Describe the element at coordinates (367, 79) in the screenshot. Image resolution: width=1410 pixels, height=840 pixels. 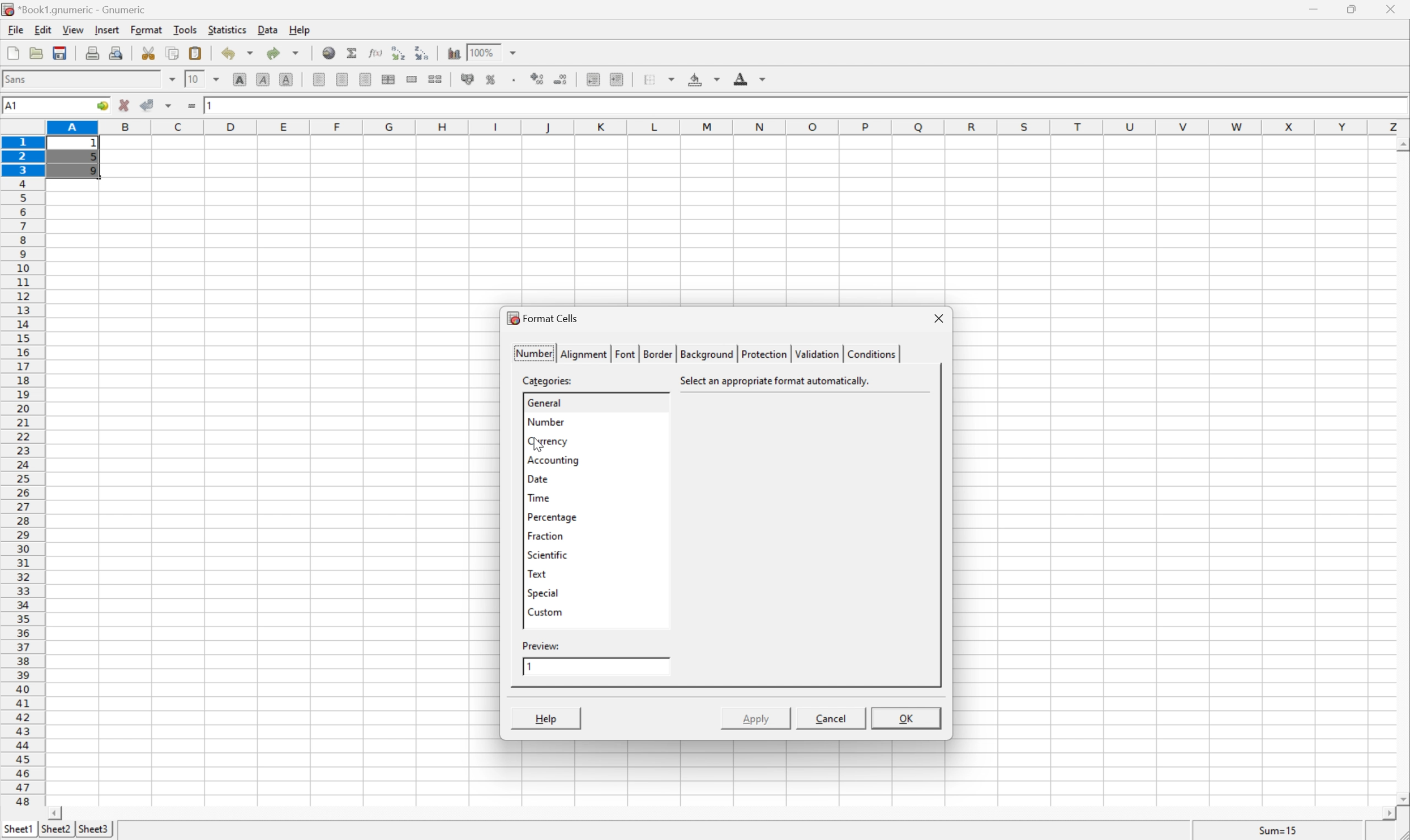
I see `align right` at that location.